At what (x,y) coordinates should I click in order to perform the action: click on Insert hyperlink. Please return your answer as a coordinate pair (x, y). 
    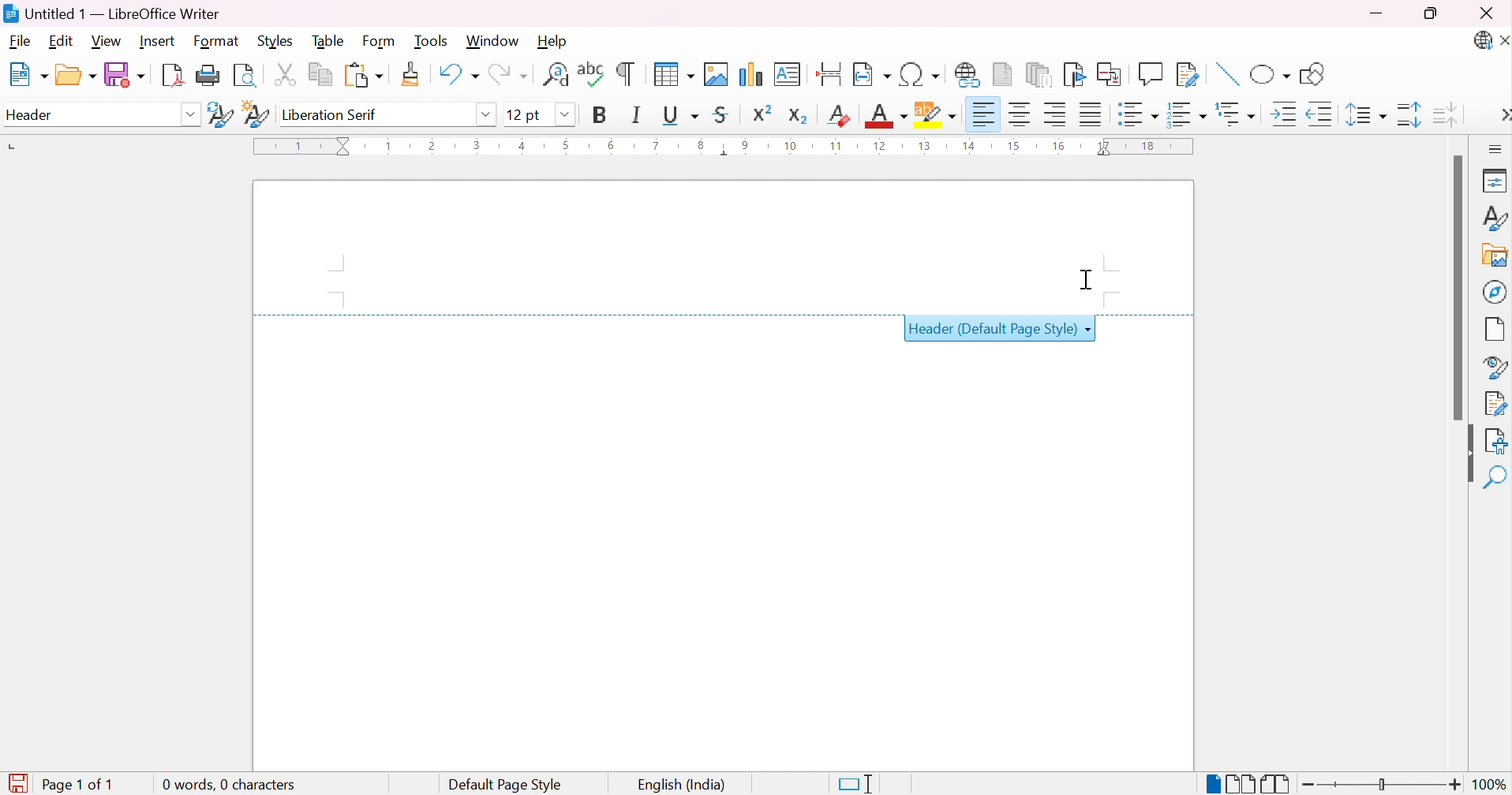
    Looking at the image, I should click on (967, 74).